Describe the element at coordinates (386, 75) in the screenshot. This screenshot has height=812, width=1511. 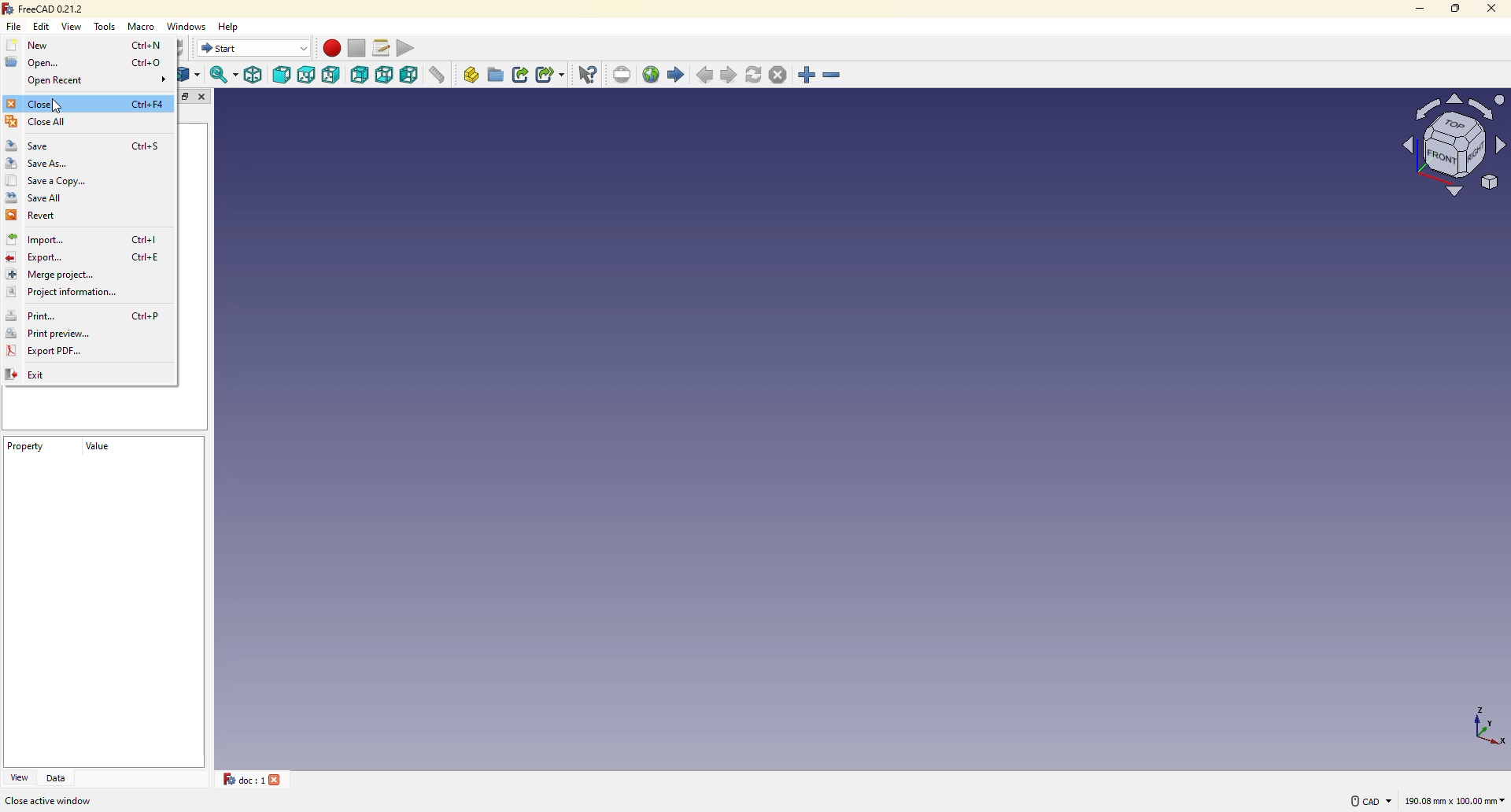
I see `bottom` at that location.